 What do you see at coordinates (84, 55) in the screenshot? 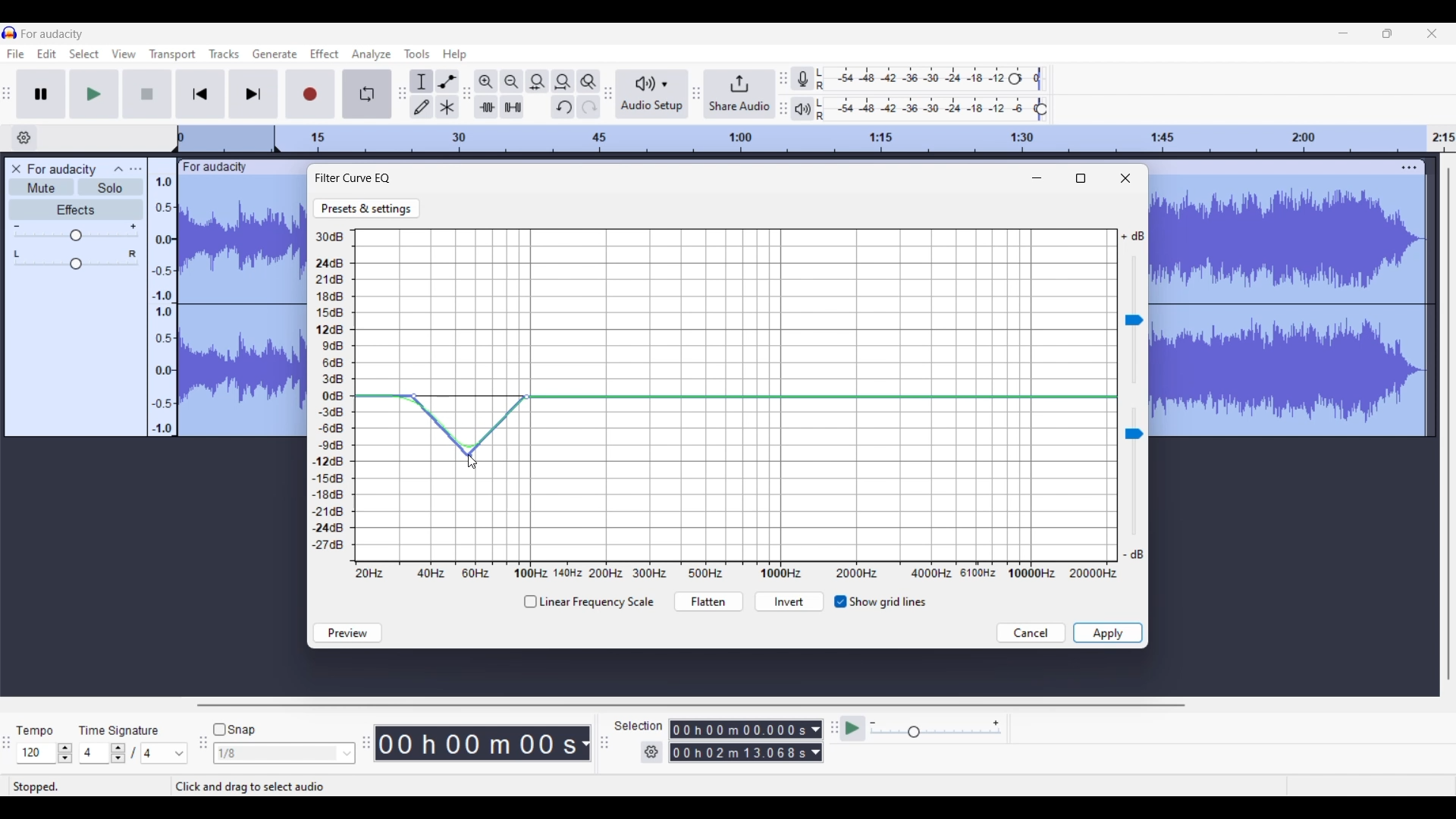
I see `Select menu` at bounding box center [84, 55].